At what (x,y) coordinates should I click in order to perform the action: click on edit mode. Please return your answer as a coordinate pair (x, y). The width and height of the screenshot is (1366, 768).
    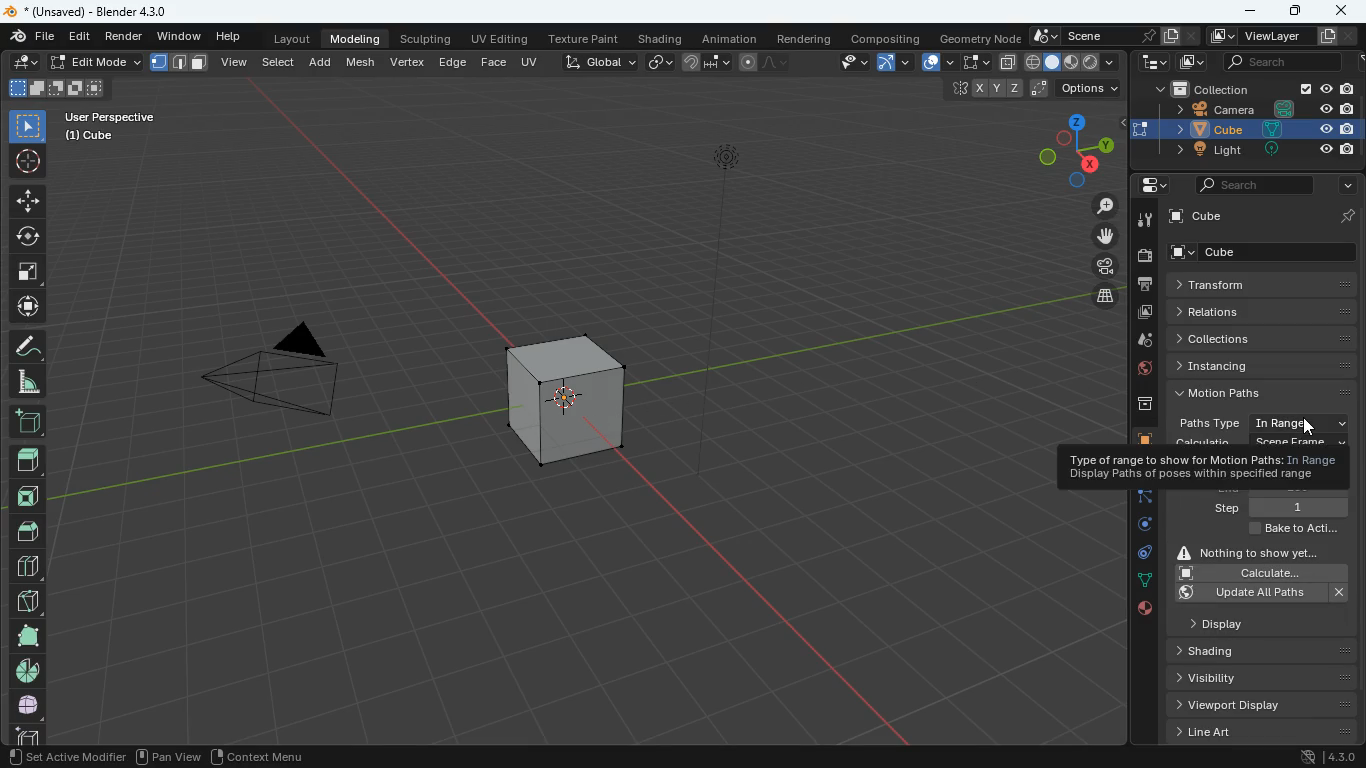
    Looking at the image, I should click on (96, 62).